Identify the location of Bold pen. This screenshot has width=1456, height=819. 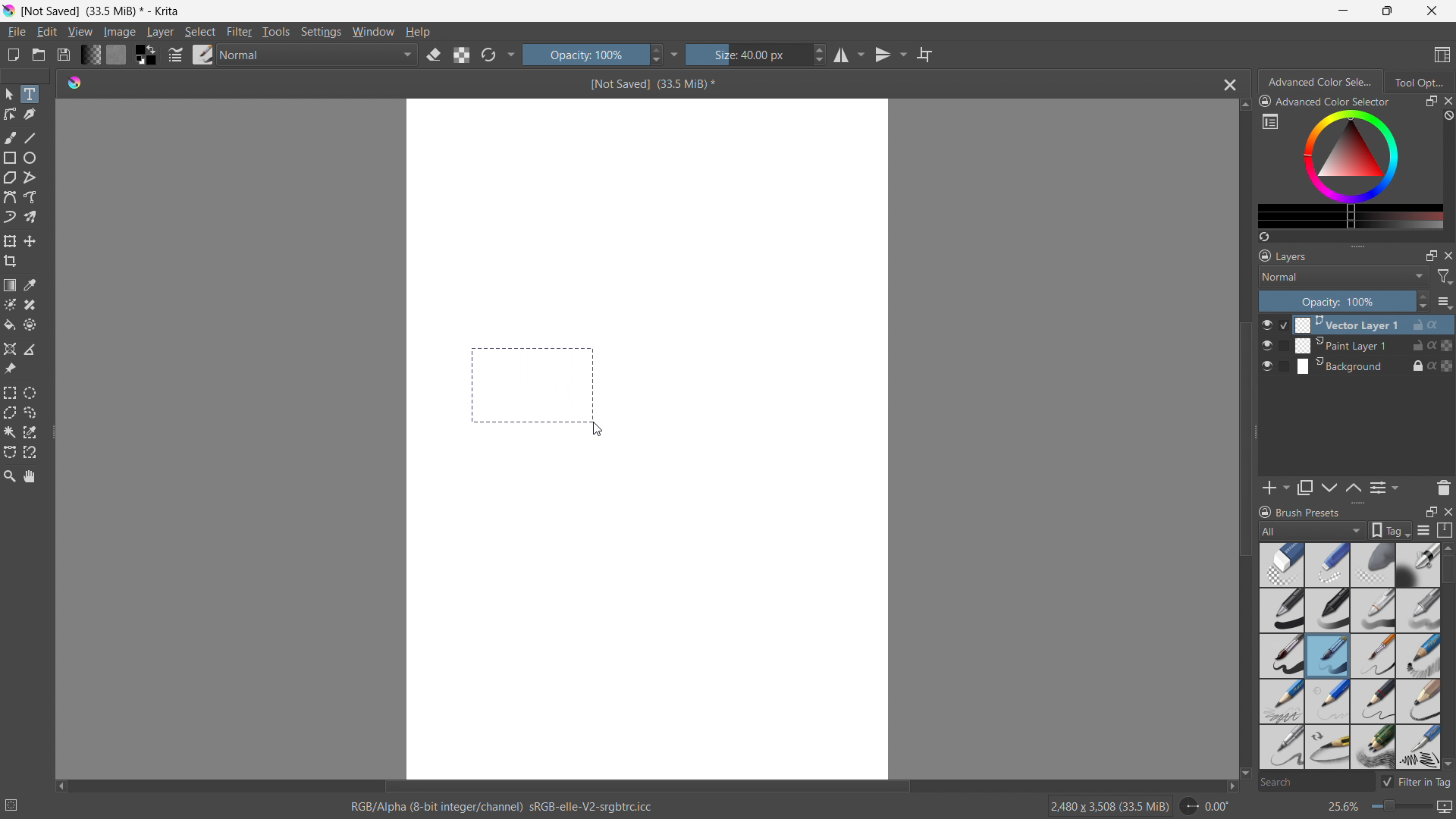
(1417, 565).